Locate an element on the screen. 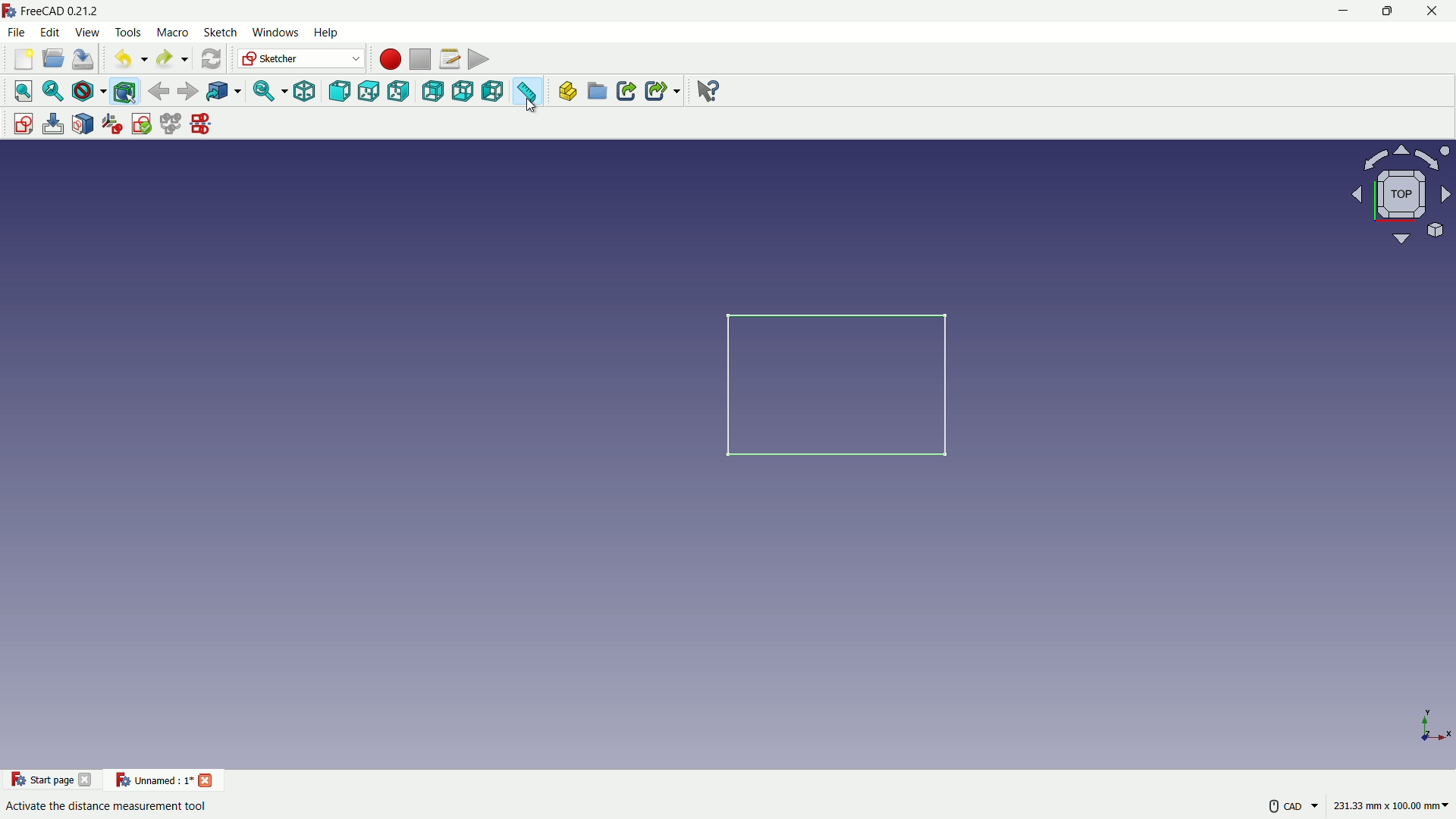 The image size is (1456, 819). right view is located at coordinates (401, 91).